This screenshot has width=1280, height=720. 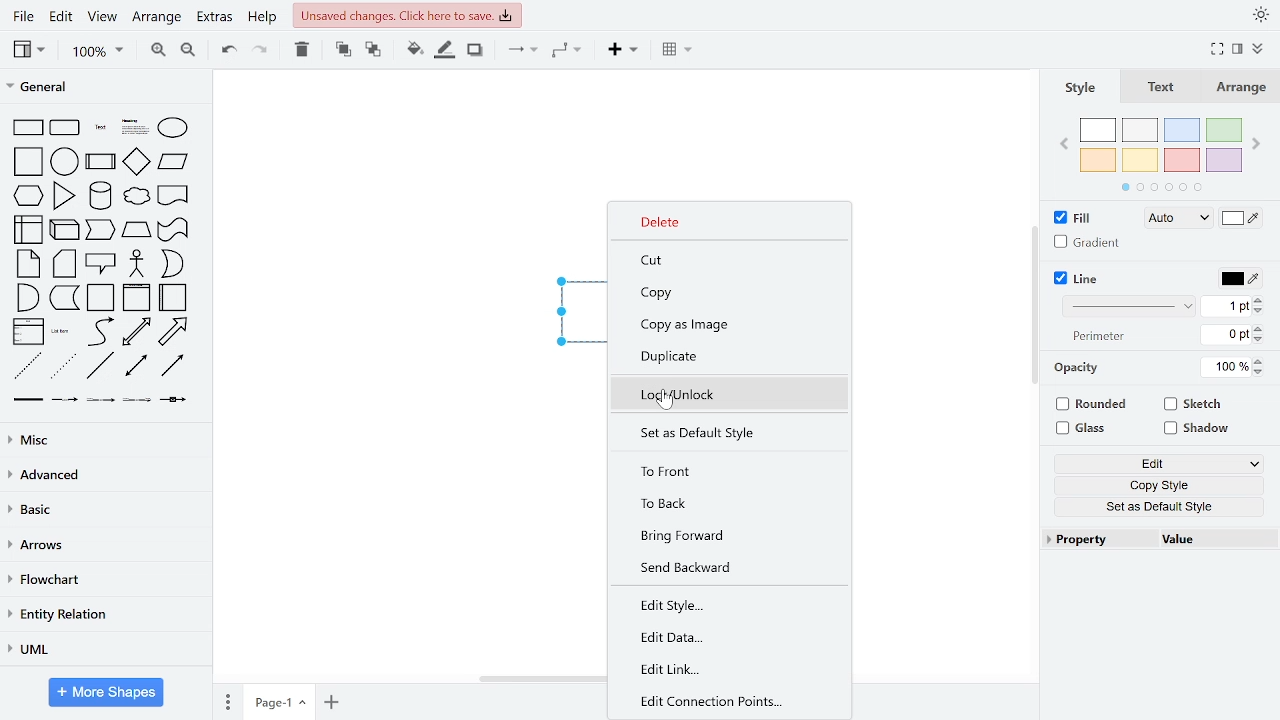 What do you see at coordinates (725, 293) in the screenshot?
I see `copy` at bounding box center [725, 293].